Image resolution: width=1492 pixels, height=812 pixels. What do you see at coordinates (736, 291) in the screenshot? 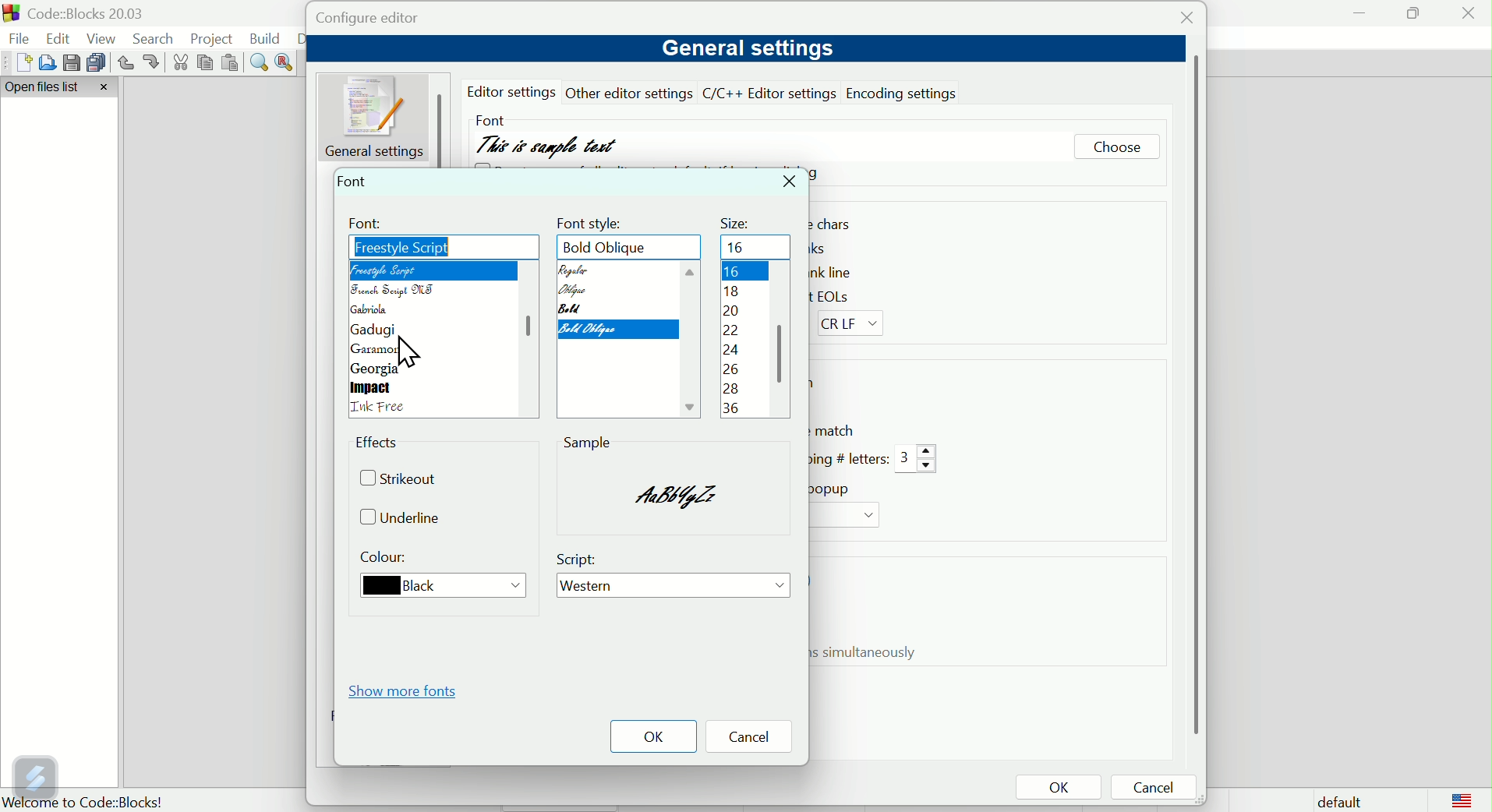
I see `18` at bounding box center [736, 291].